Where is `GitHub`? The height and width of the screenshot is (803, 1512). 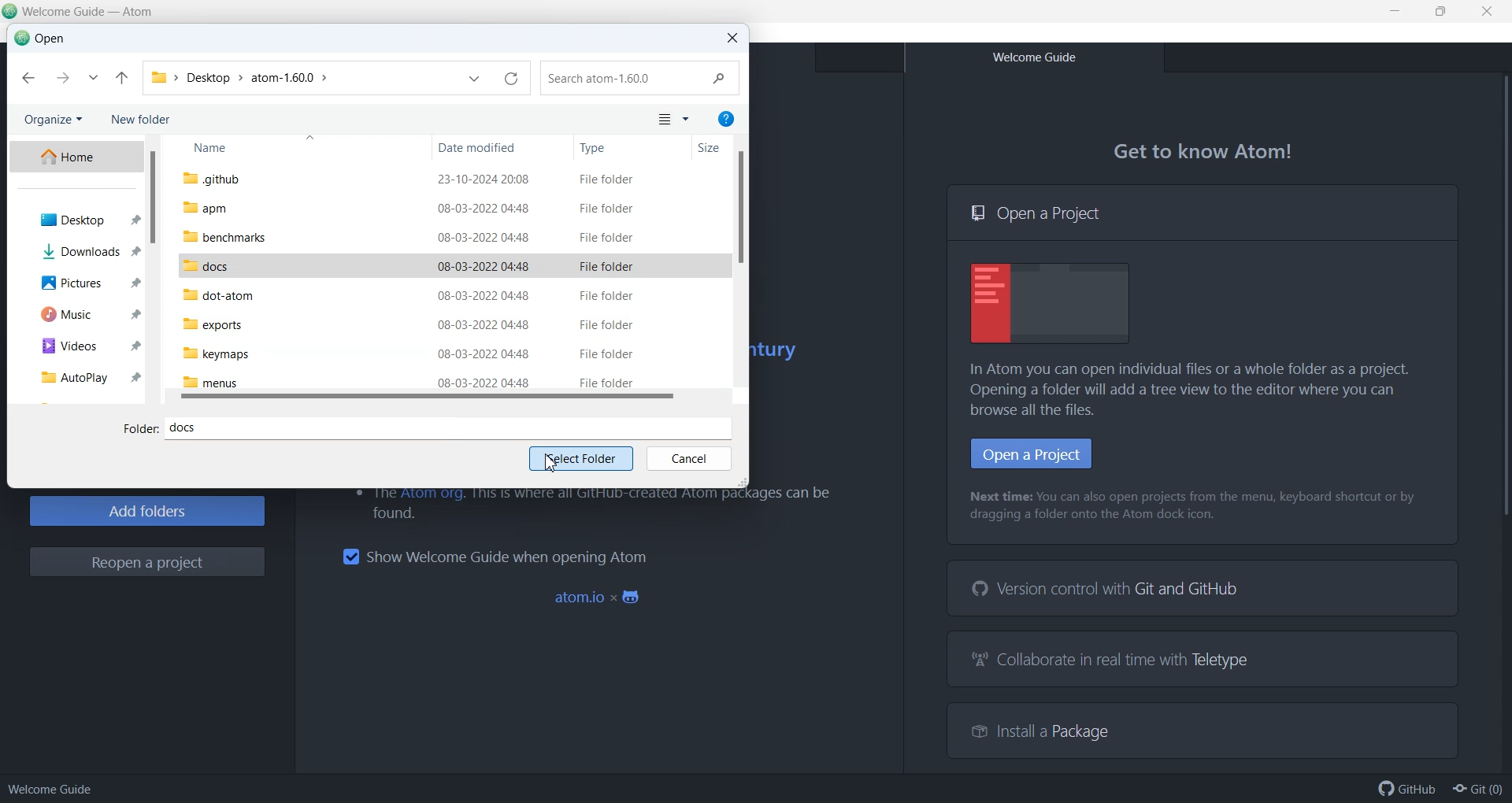
GitHub is located at coordinates (1407, 789).